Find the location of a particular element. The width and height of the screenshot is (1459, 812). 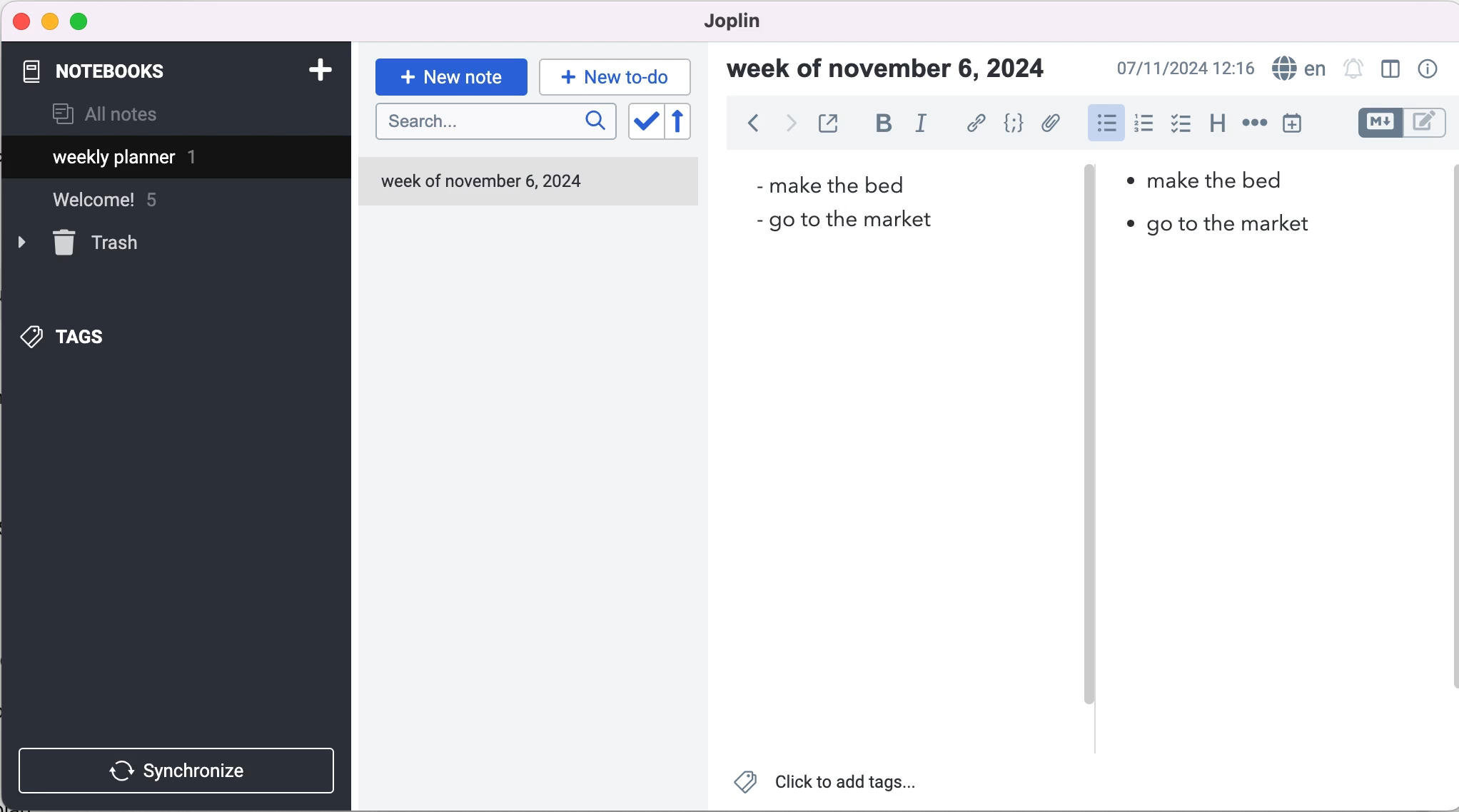

Go to the market is located at coordinates (841, 223).